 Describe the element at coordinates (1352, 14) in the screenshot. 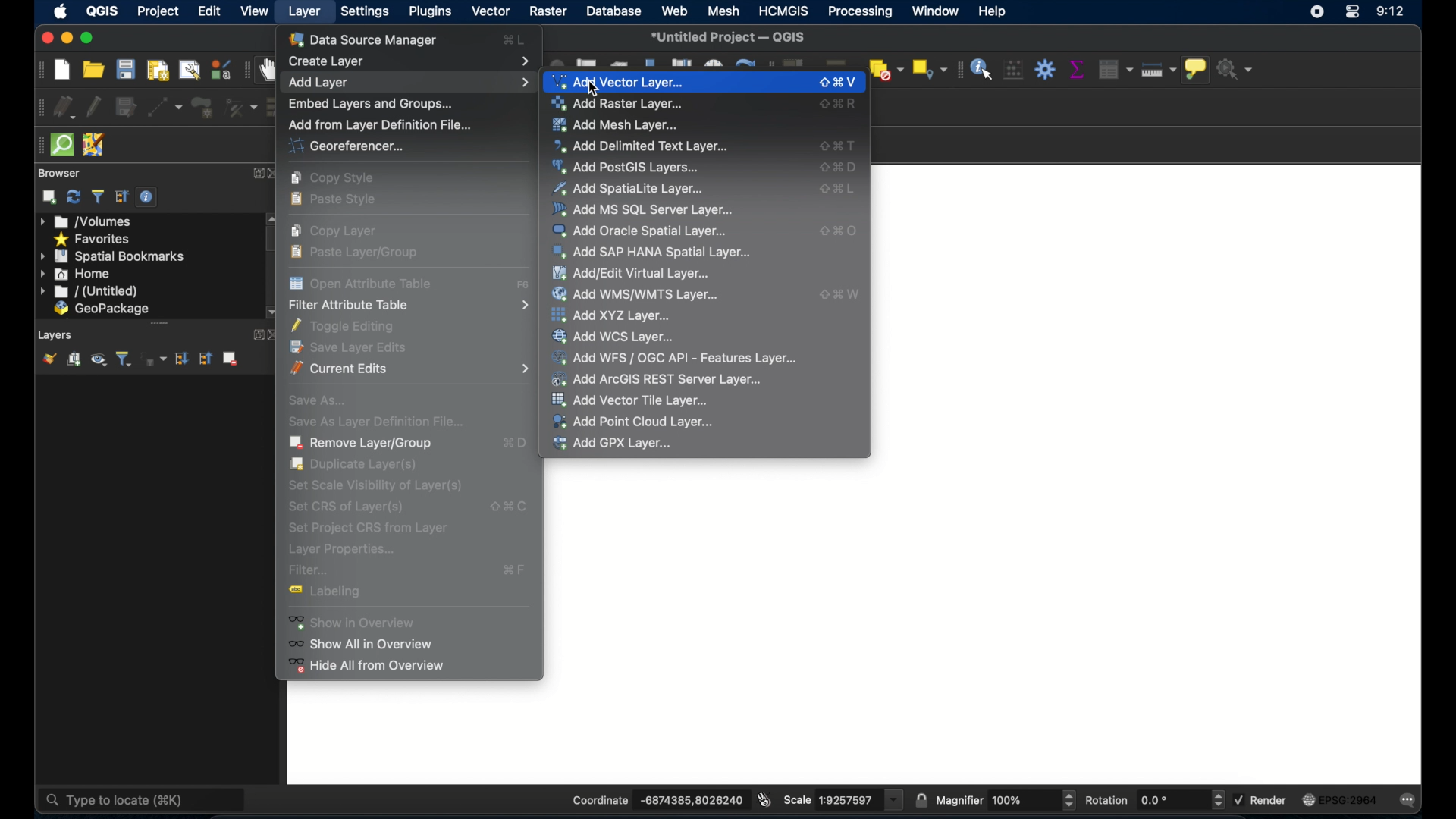

I see `control center` at that location.